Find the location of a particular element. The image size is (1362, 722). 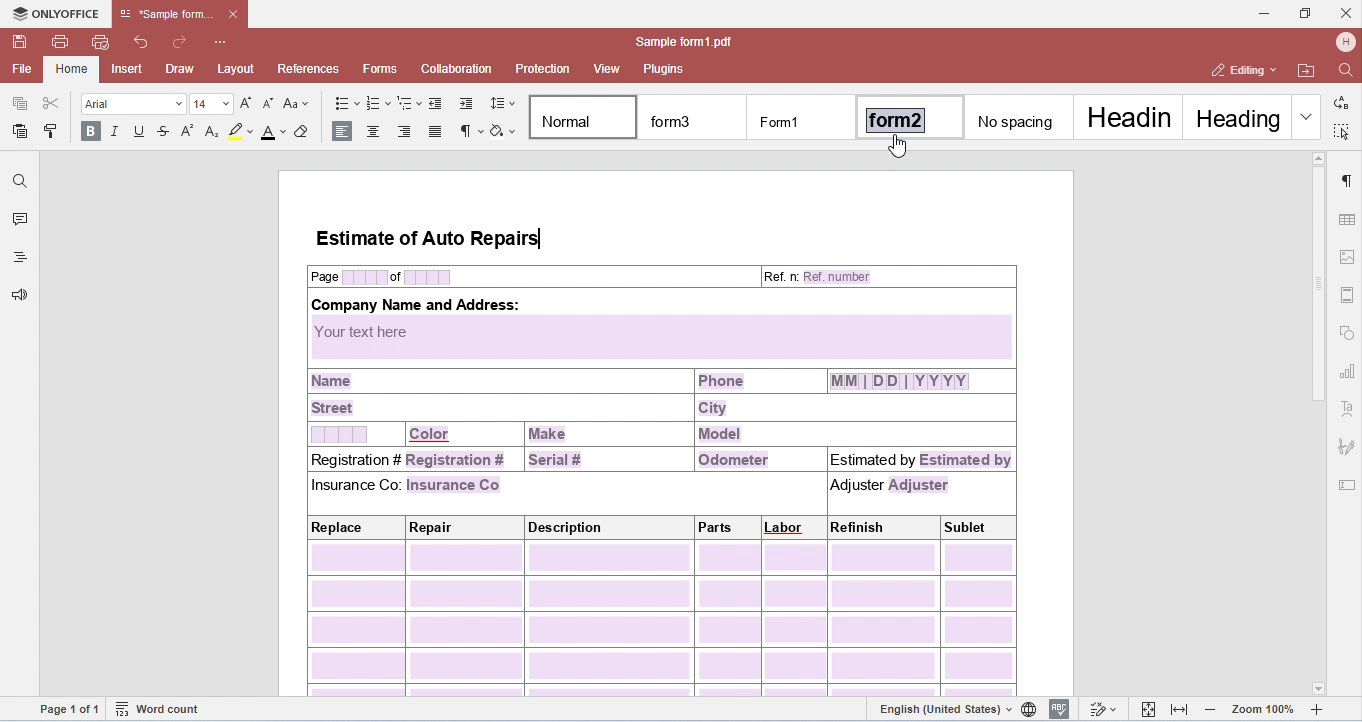

subscript is located at coordinates (214, 132).